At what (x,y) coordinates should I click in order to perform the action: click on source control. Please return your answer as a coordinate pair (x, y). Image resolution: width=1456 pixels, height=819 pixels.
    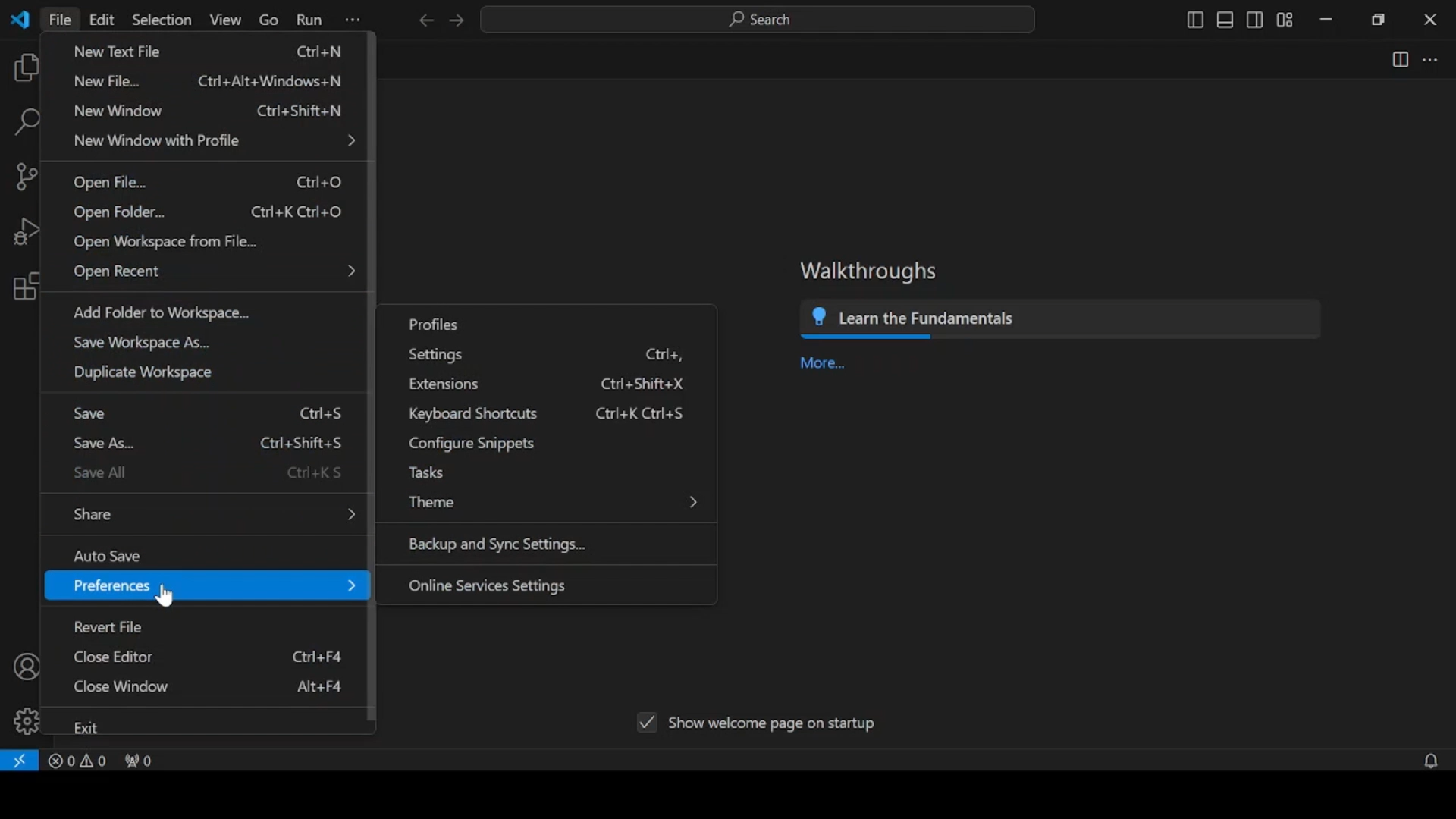
    Looking at the image, I should click on (27, 177).